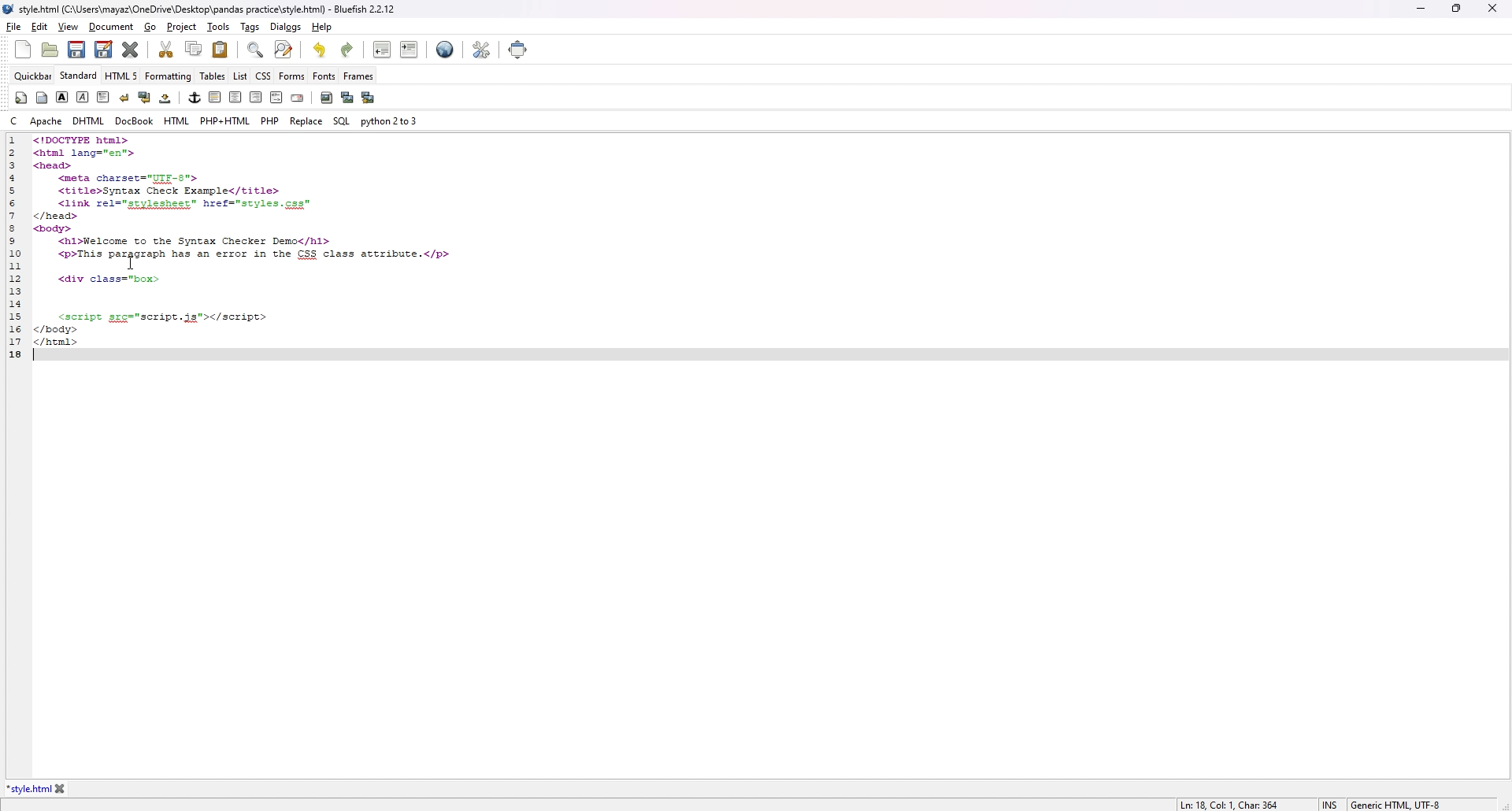 This screenshot has height=811, width=1512. I want to click on encoding, so click(1399, 803).